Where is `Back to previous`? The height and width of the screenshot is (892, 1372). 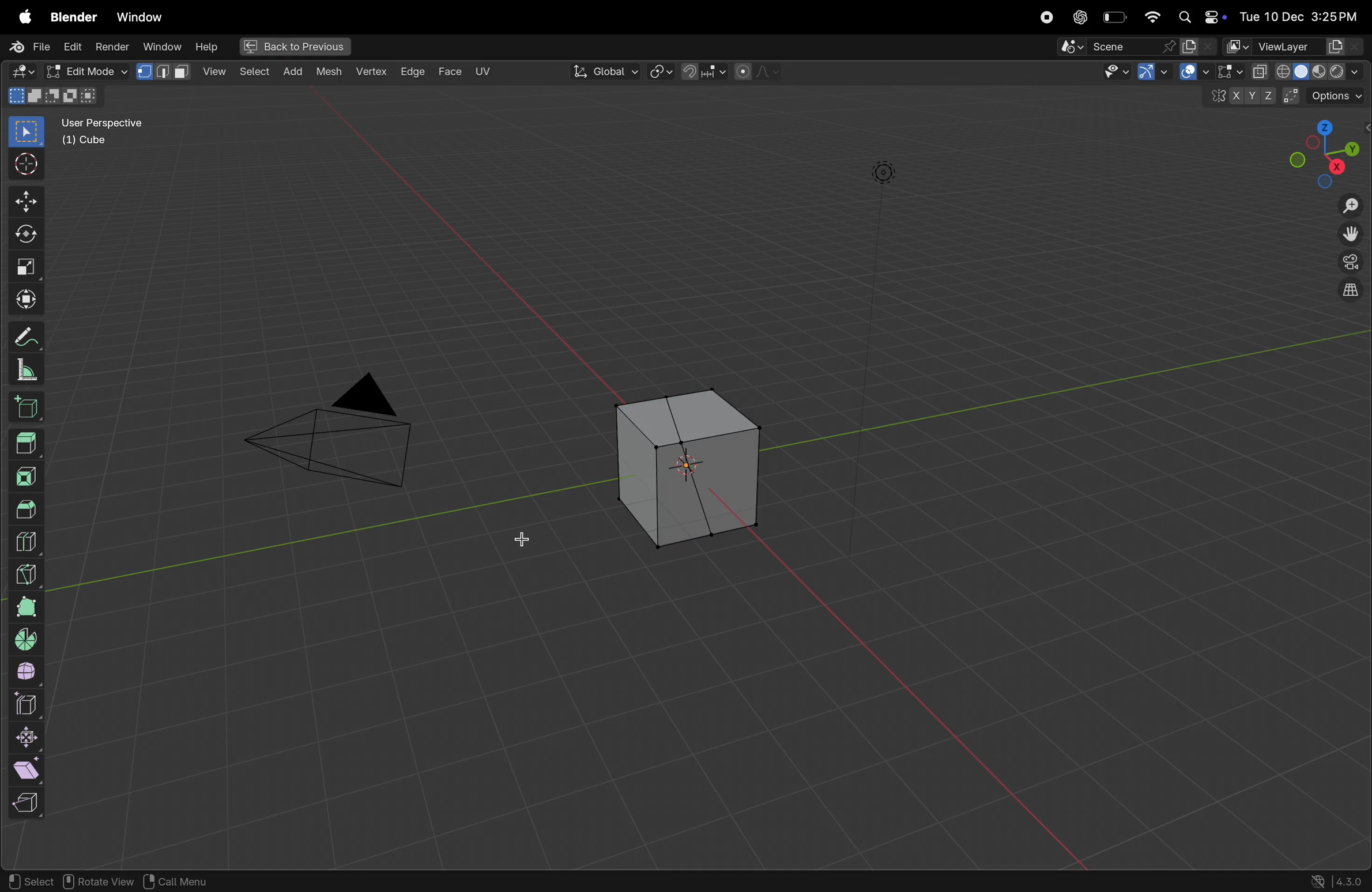
Back to previous is located at coordinates (291, 47).